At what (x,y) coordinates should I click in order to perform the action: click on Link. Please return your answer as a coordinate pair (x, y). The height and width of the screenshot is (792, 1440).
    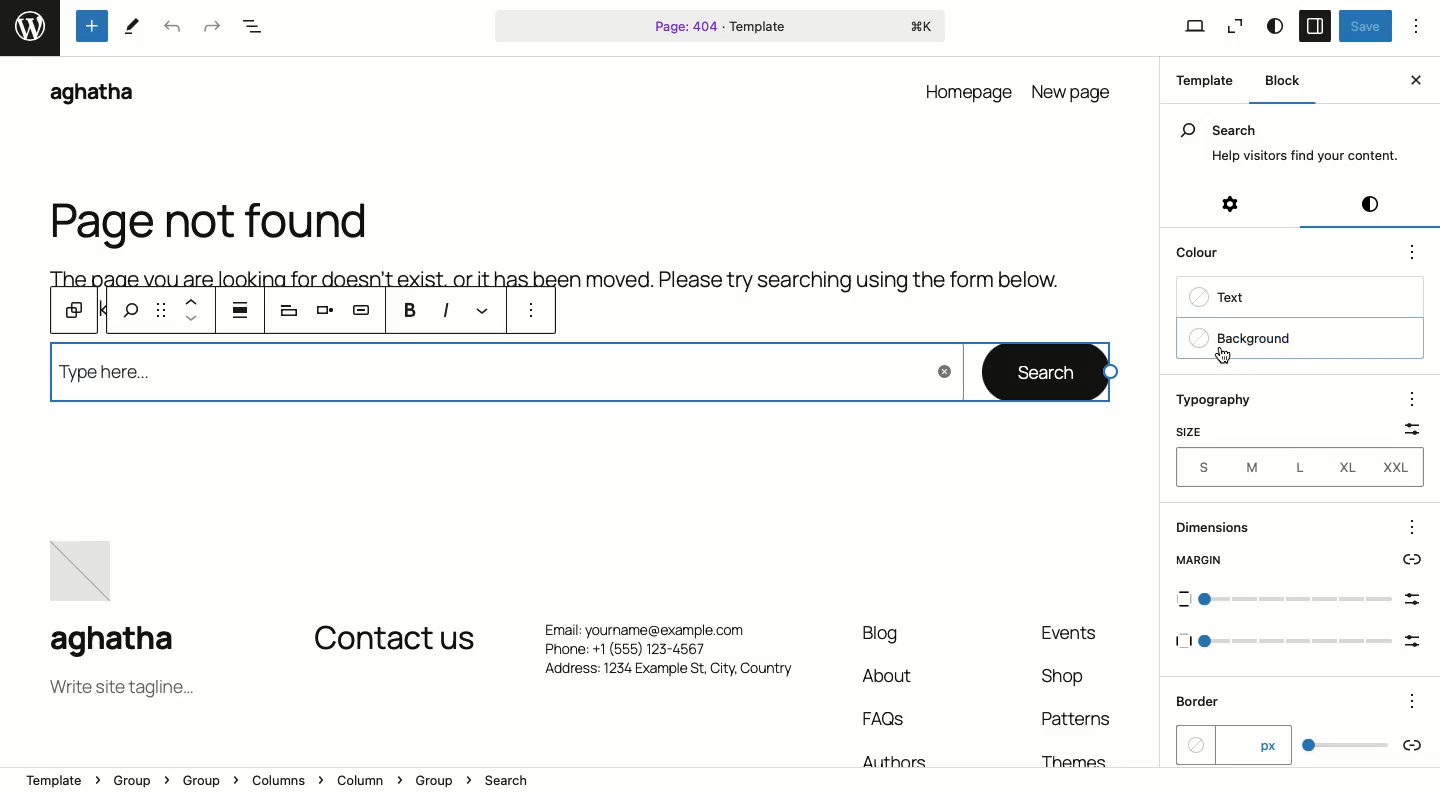
    Looking at the image, I should click on (486, 310).